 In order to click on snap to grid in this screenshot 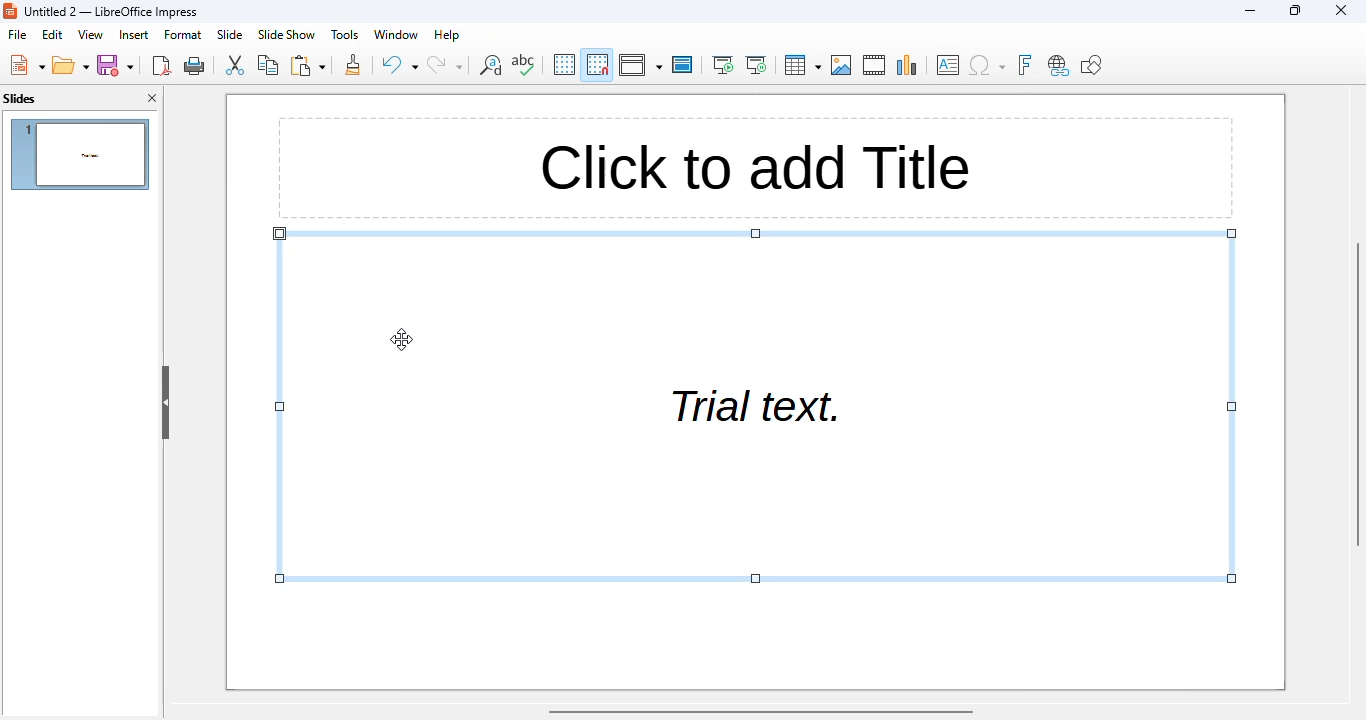, I will do `click(598, 65)`.